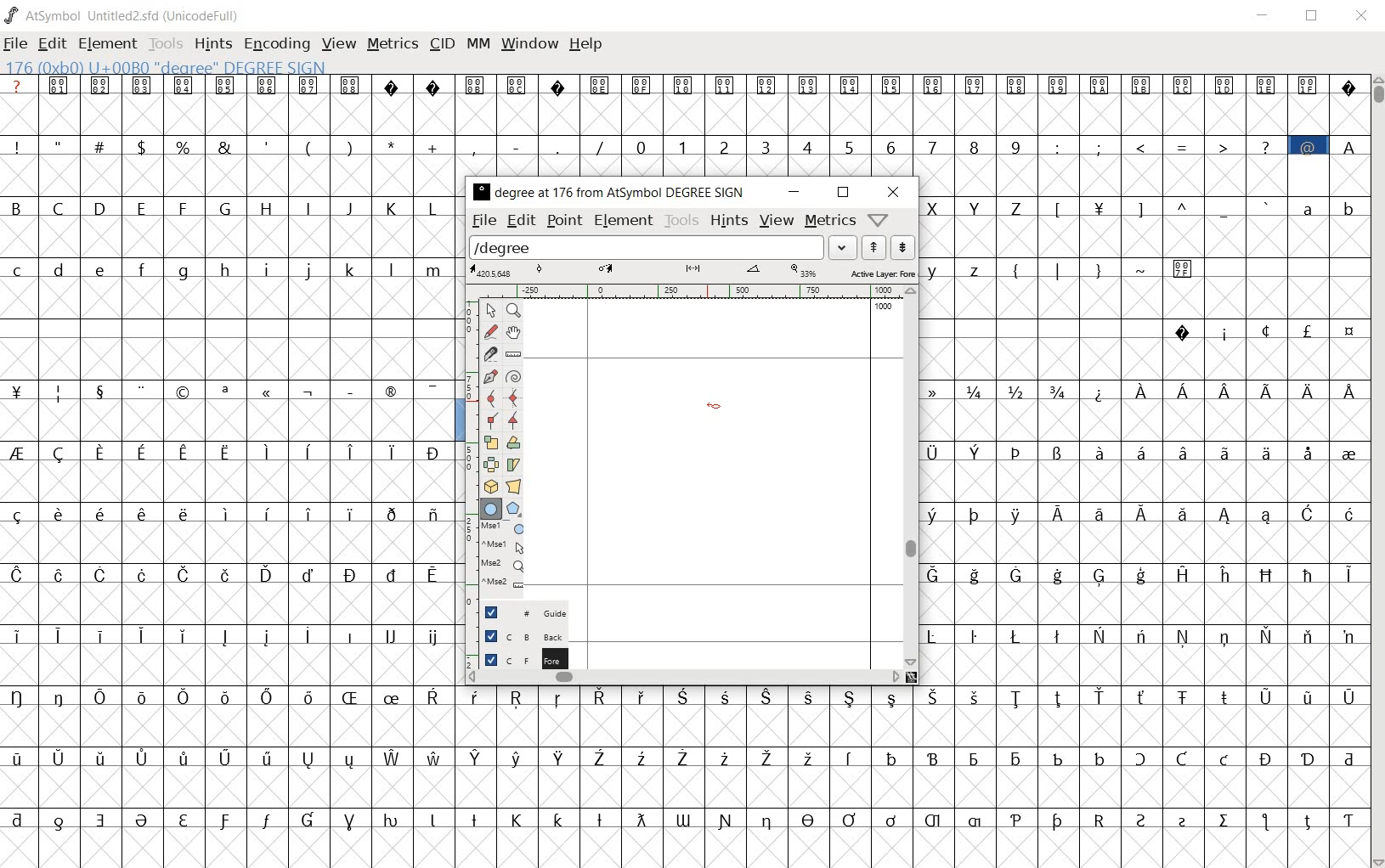 Image resolution: width=1385 pixels, height=868 pixels. Describe the element at coordinates (715, 408) in the screenshot. I see `Ellipse tool/cursor location` at that location.